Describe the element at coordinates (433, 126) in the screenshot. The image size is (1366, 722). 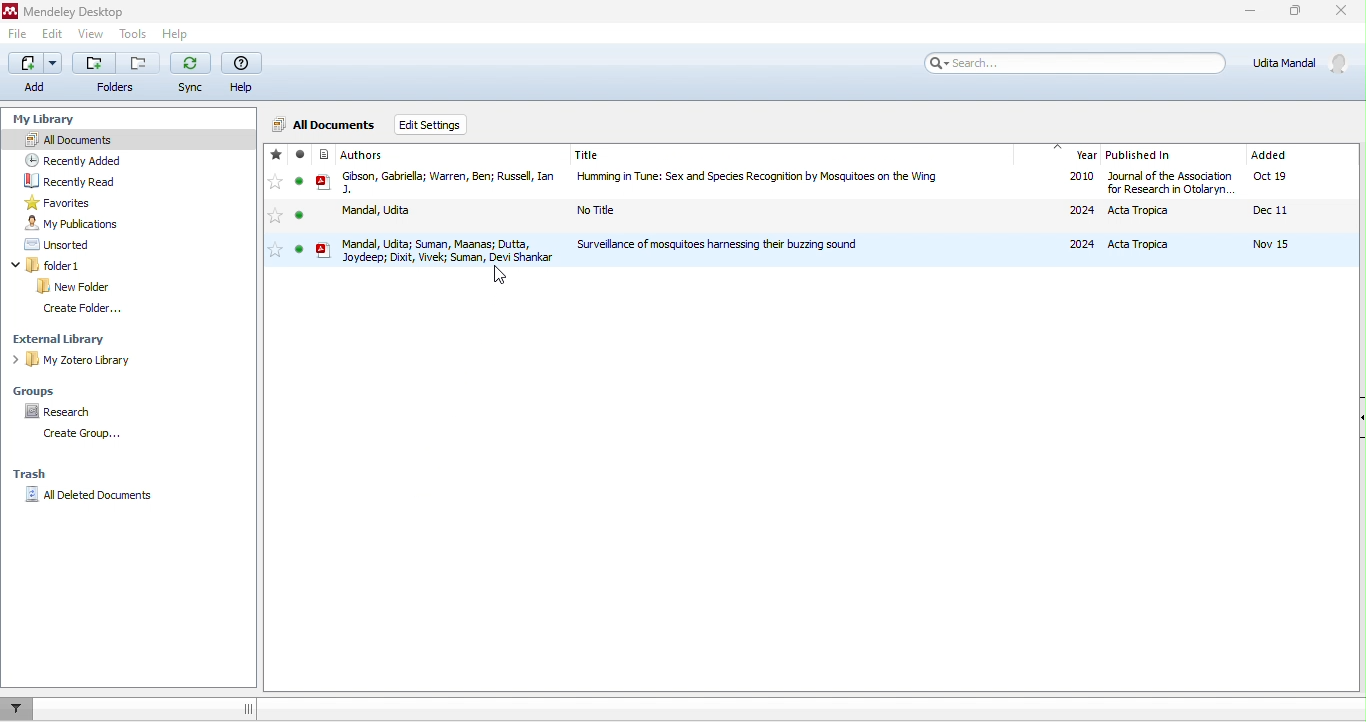
I see `edit setting` at that location.